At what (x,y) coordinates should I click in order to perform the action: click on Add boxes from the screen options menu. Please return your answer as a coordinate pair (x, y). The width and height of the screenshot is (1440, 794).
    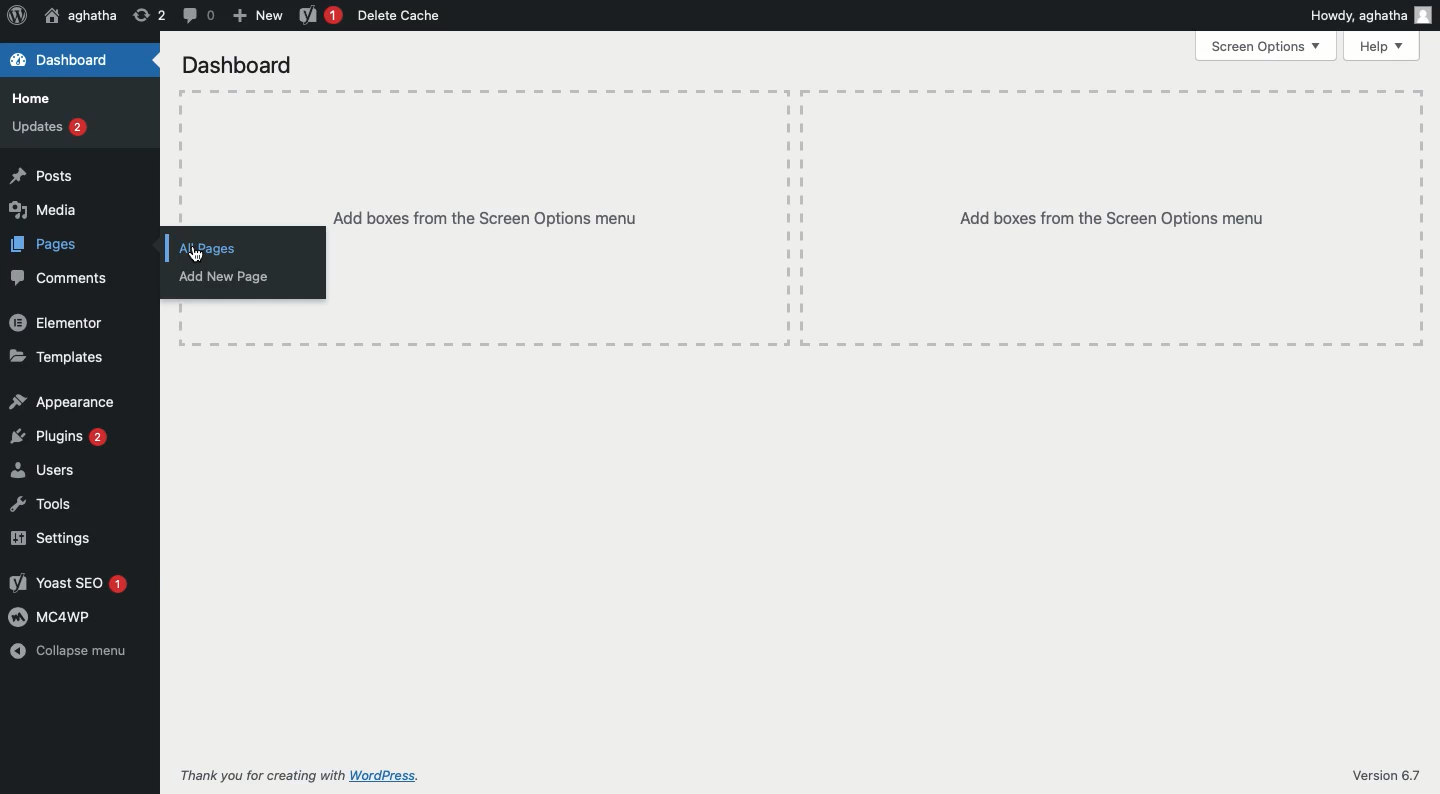
    Looking at the image, I should click on (876, 218).